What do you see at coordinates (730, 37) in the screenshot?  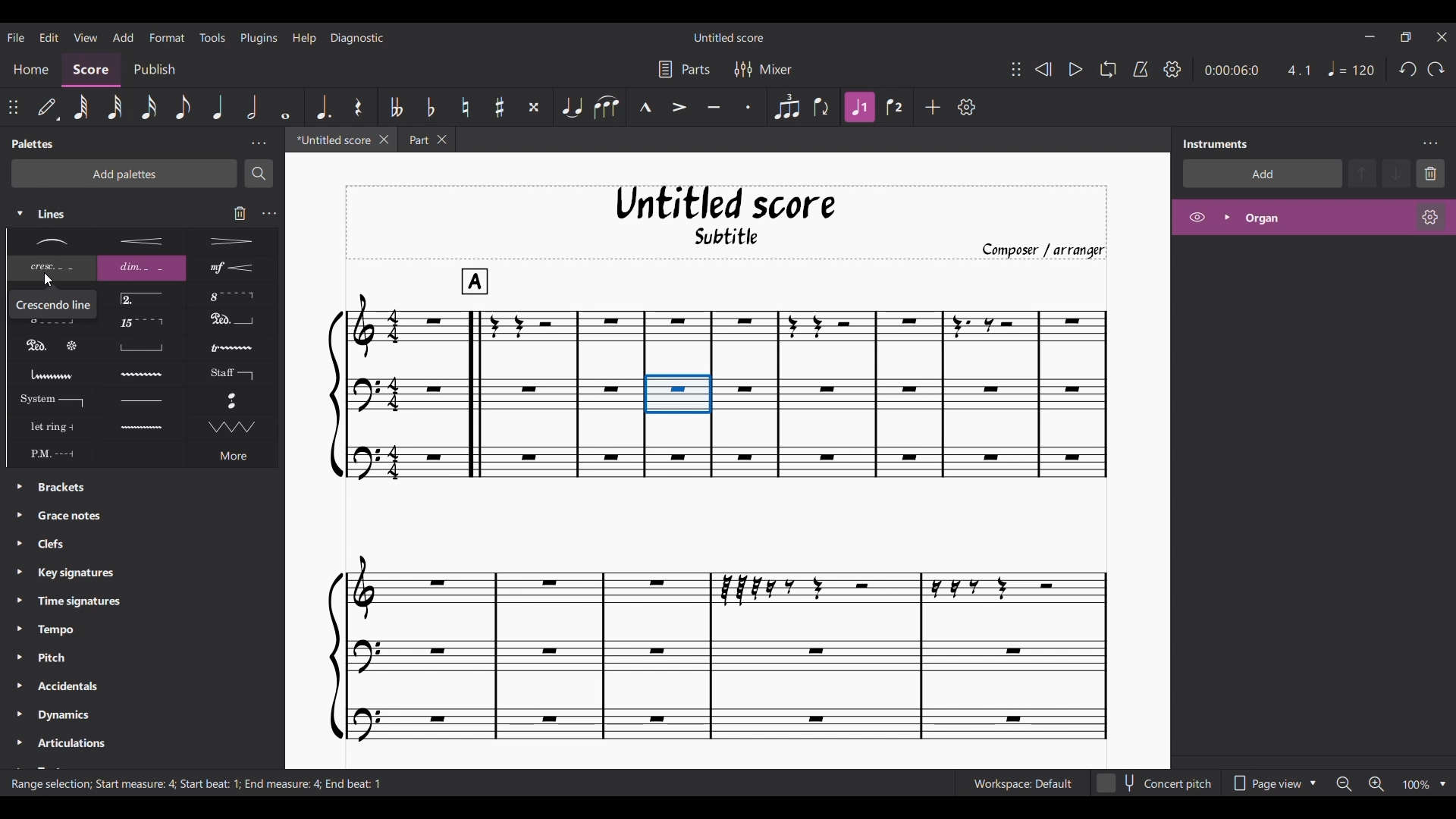 I see `Score title` at bounding box center [730, 37].